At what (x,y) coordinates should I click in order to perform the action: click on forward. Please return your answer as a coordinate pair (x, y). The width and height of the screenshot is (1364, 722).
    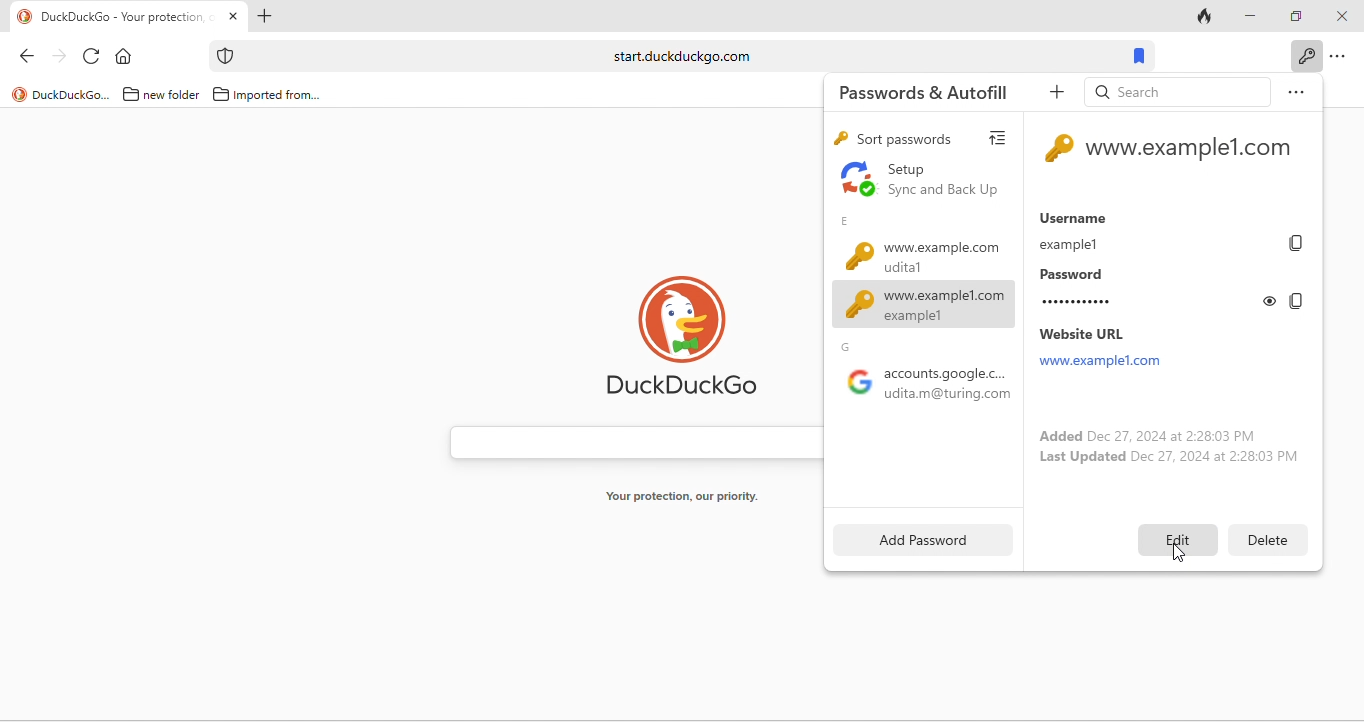
    Looking at the image, I should click on (56, 54).